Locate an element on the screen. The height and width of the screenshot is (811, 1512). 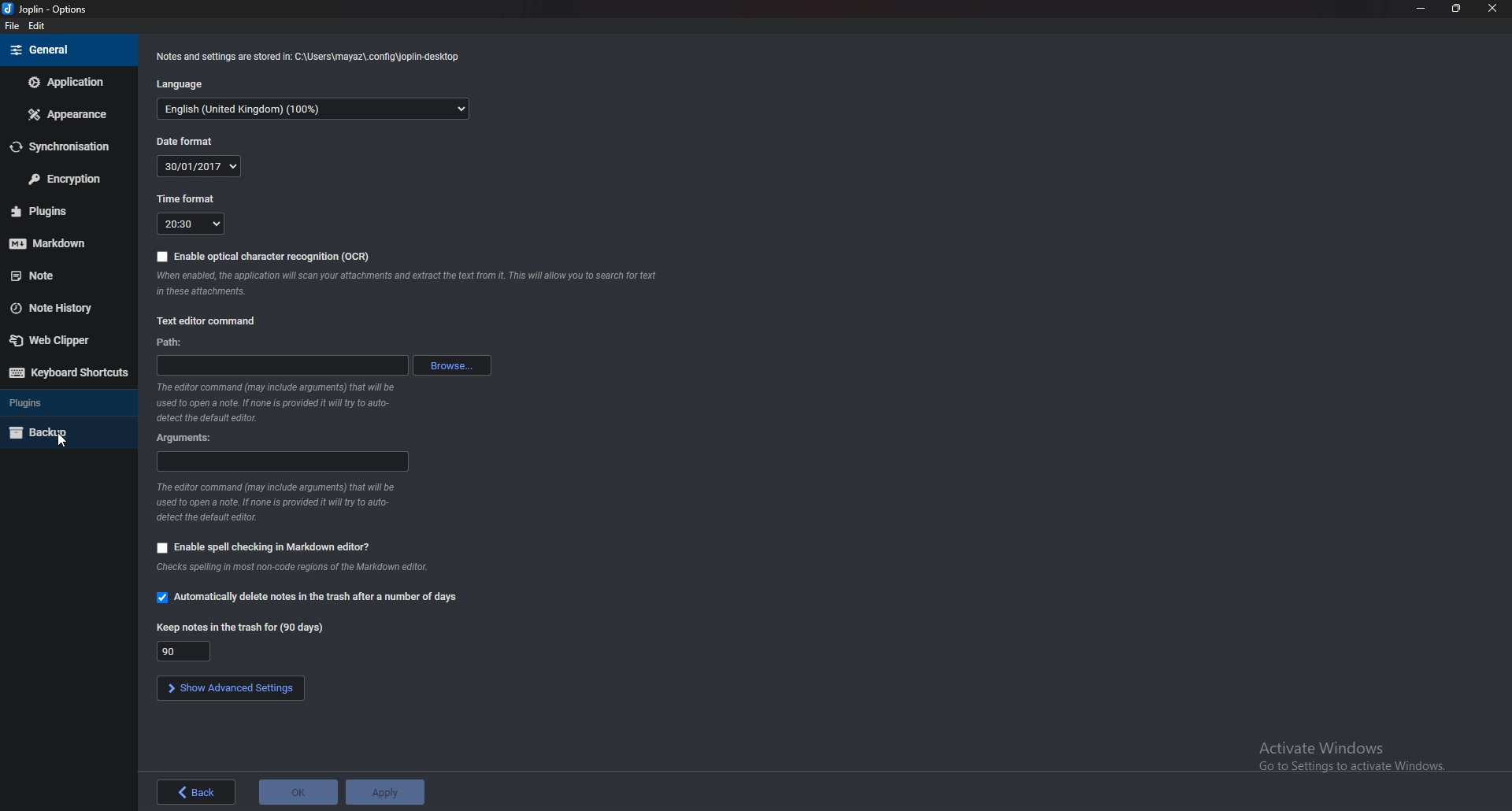
Keep notes in the trash for 90 days is located at coordinates (241, 628).